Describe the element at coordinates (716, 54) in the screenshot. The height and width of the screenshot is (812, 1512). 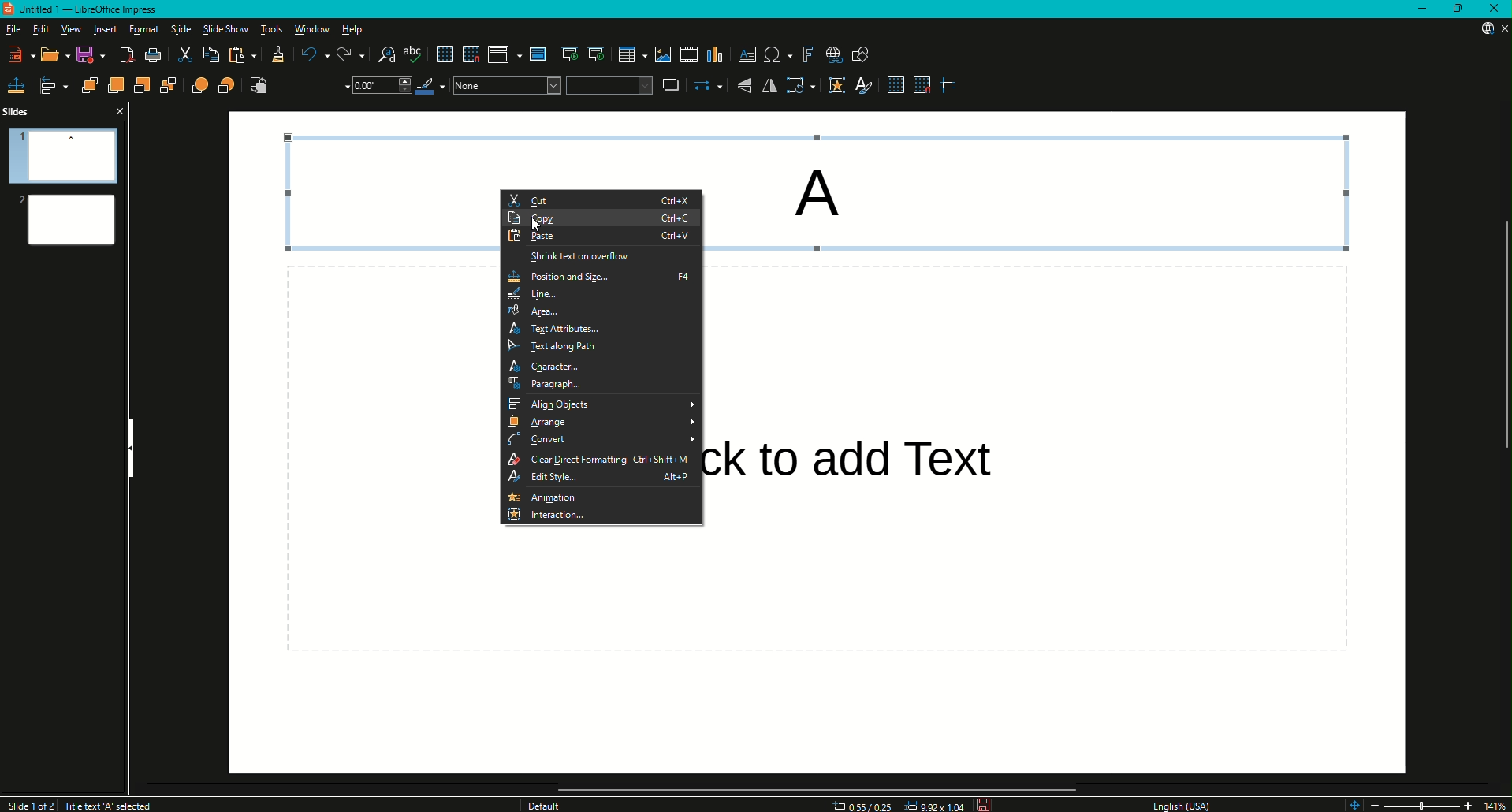
I see `Insert Chart` at that location.